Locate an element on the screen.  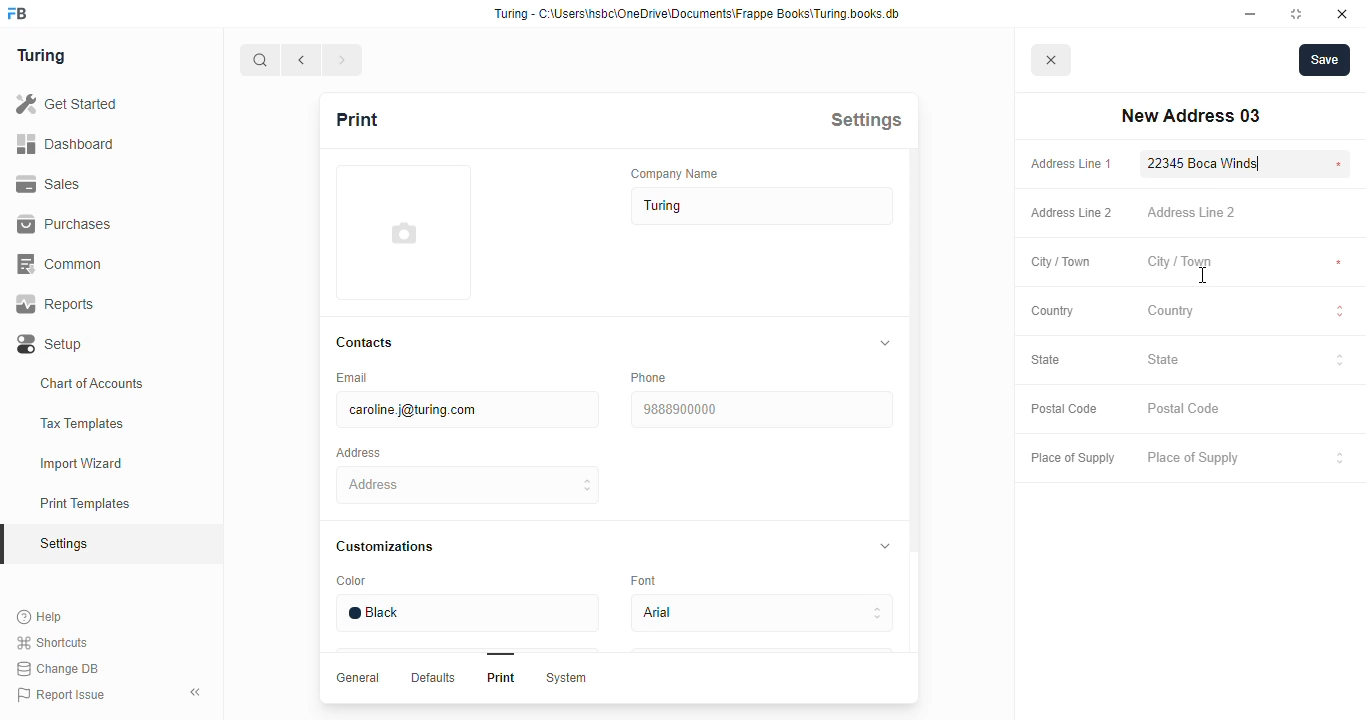
common is located at coordinates (62, 264).